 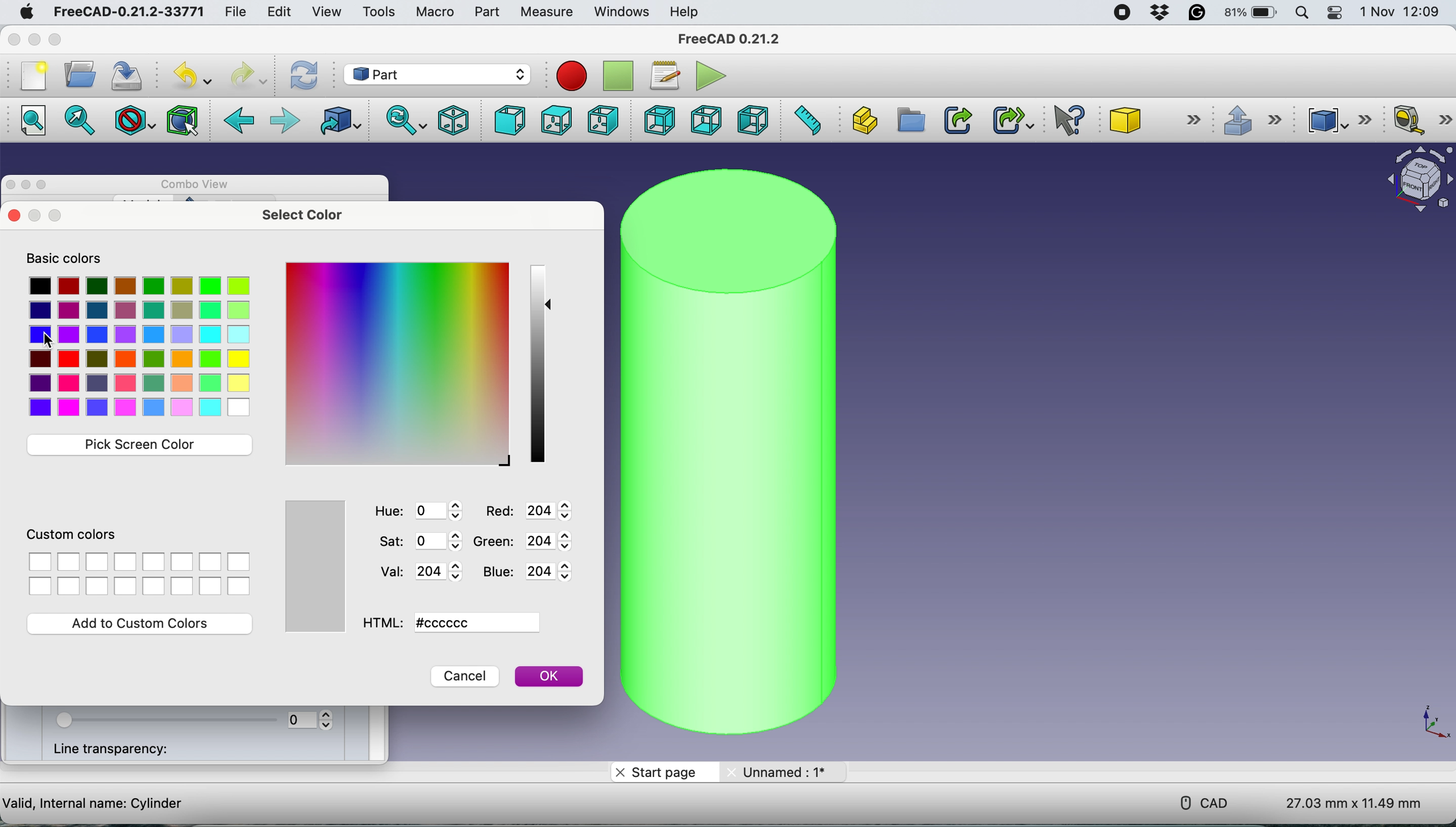 I want to click on green, so click(x=531, y=544).